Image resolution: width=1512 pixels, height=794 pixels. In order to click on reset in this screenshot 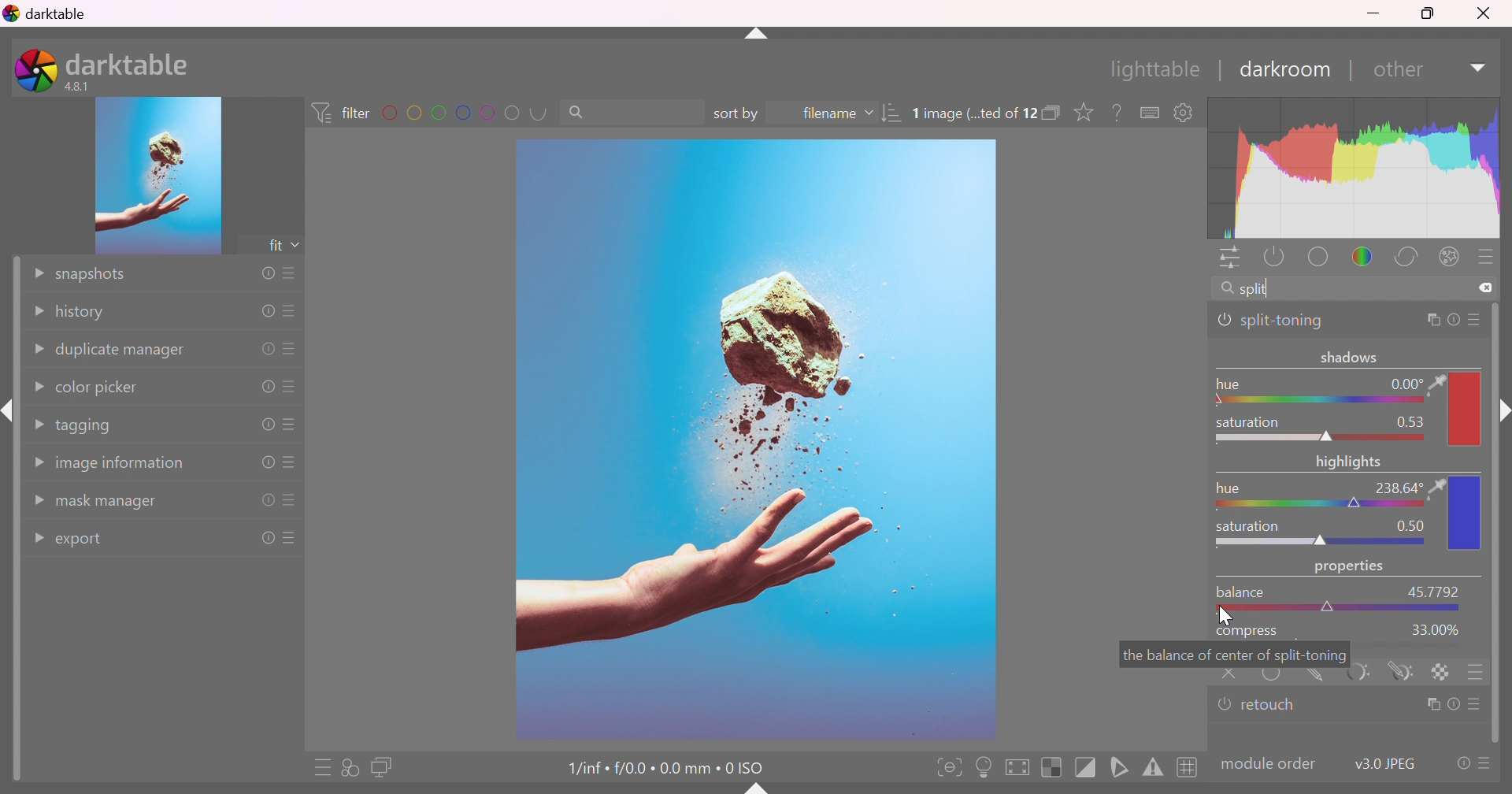, I will do `click(268, 499)`.